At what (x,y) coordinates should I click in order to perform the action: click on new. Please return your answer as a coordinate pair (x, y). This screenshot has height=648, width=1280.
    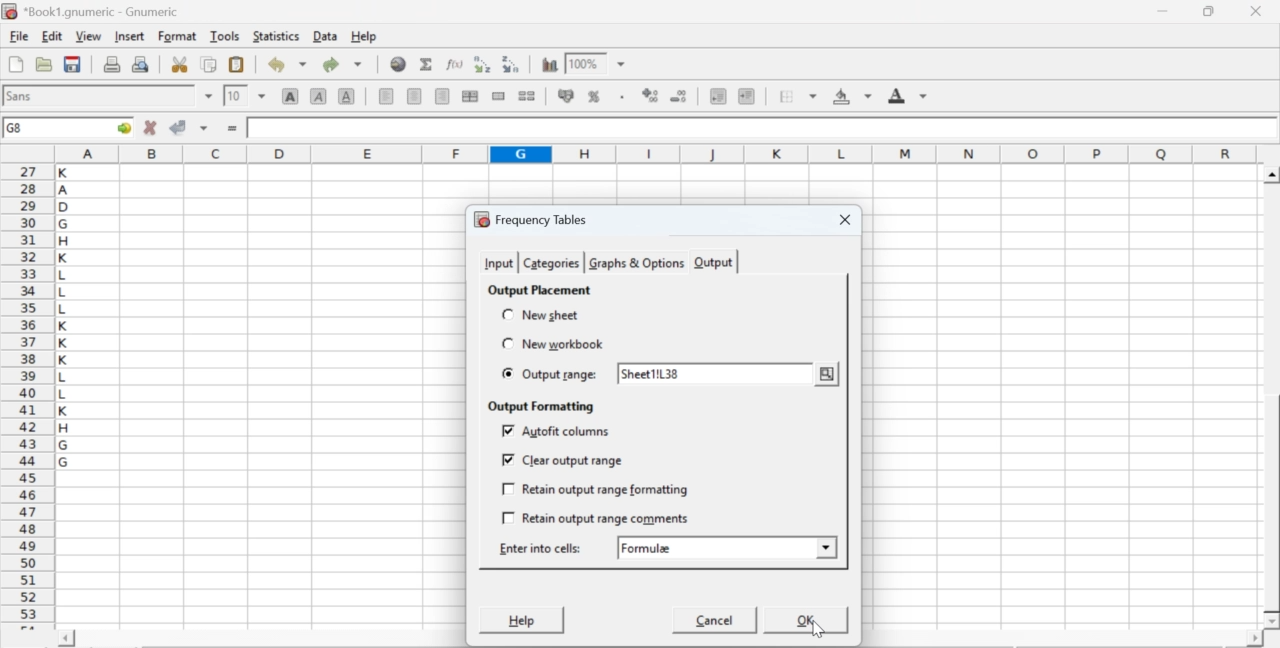
    Looking at the image, I should click on (15, 64).